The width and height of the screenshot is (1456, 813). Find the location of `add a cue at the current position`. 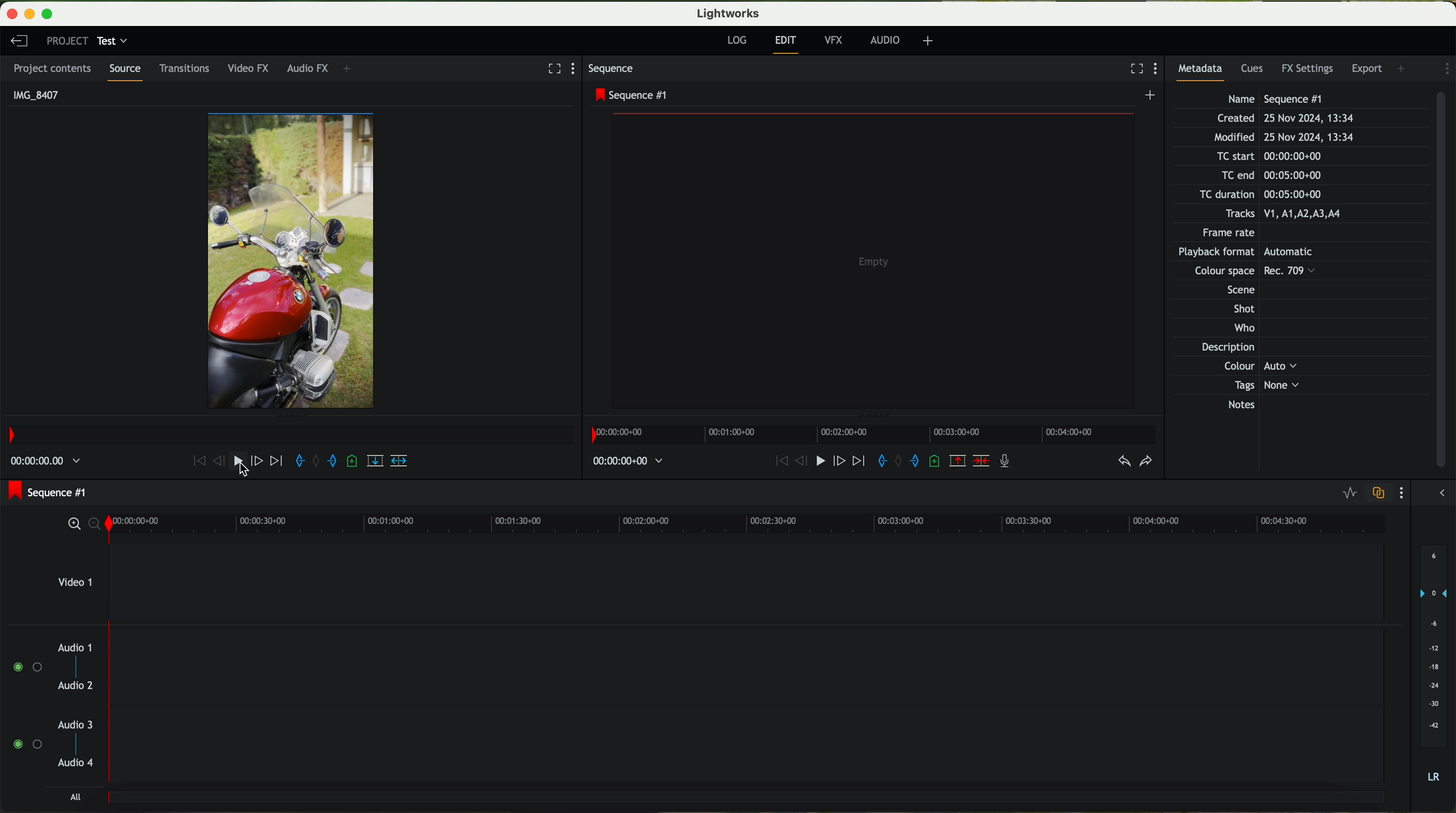

add a cue at the current position is located at coordinates (353, 462).